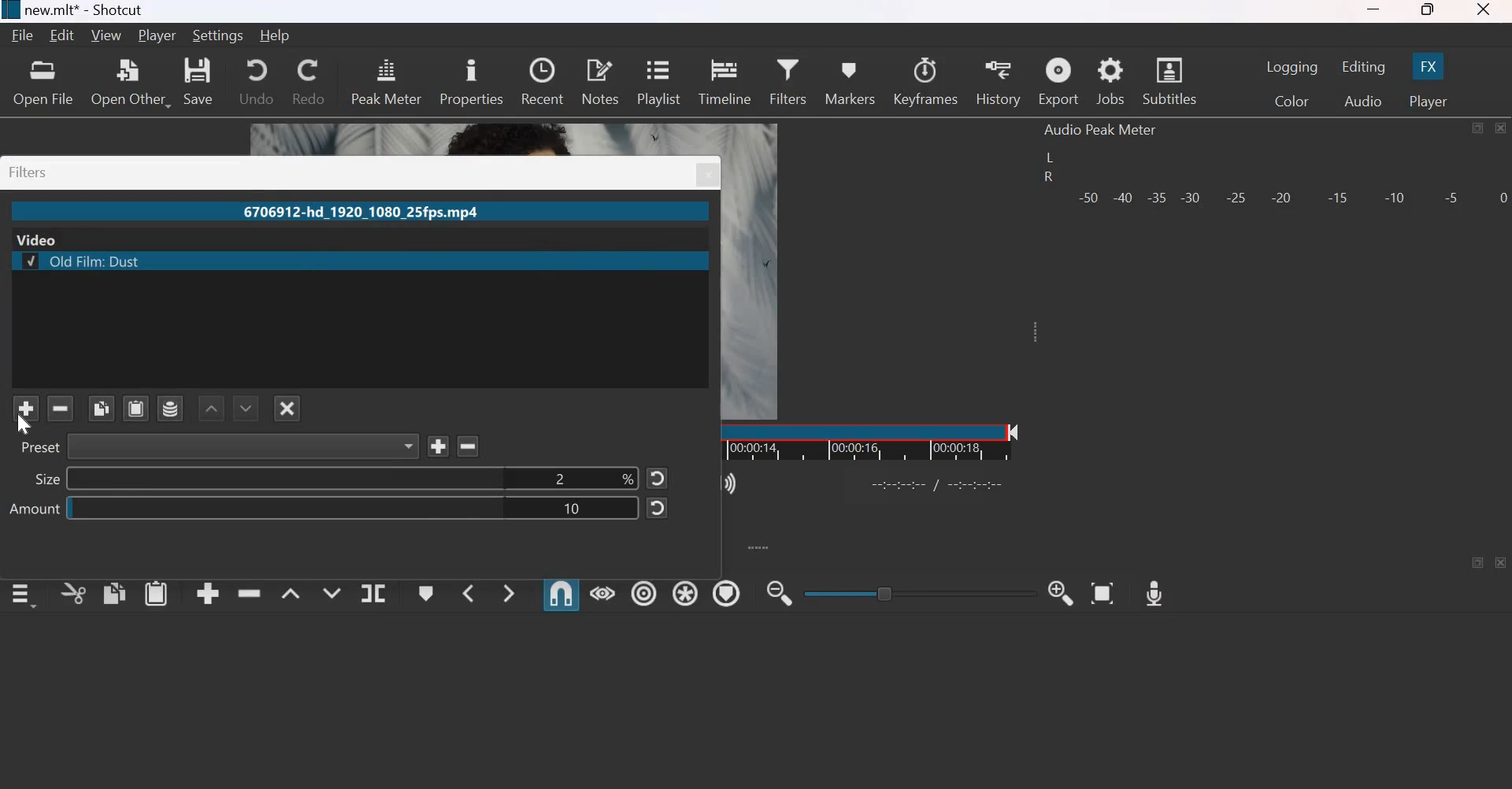  Describe the element at coordinates (1169, 80) in the screenshot. I see `Subtitles` at that location.